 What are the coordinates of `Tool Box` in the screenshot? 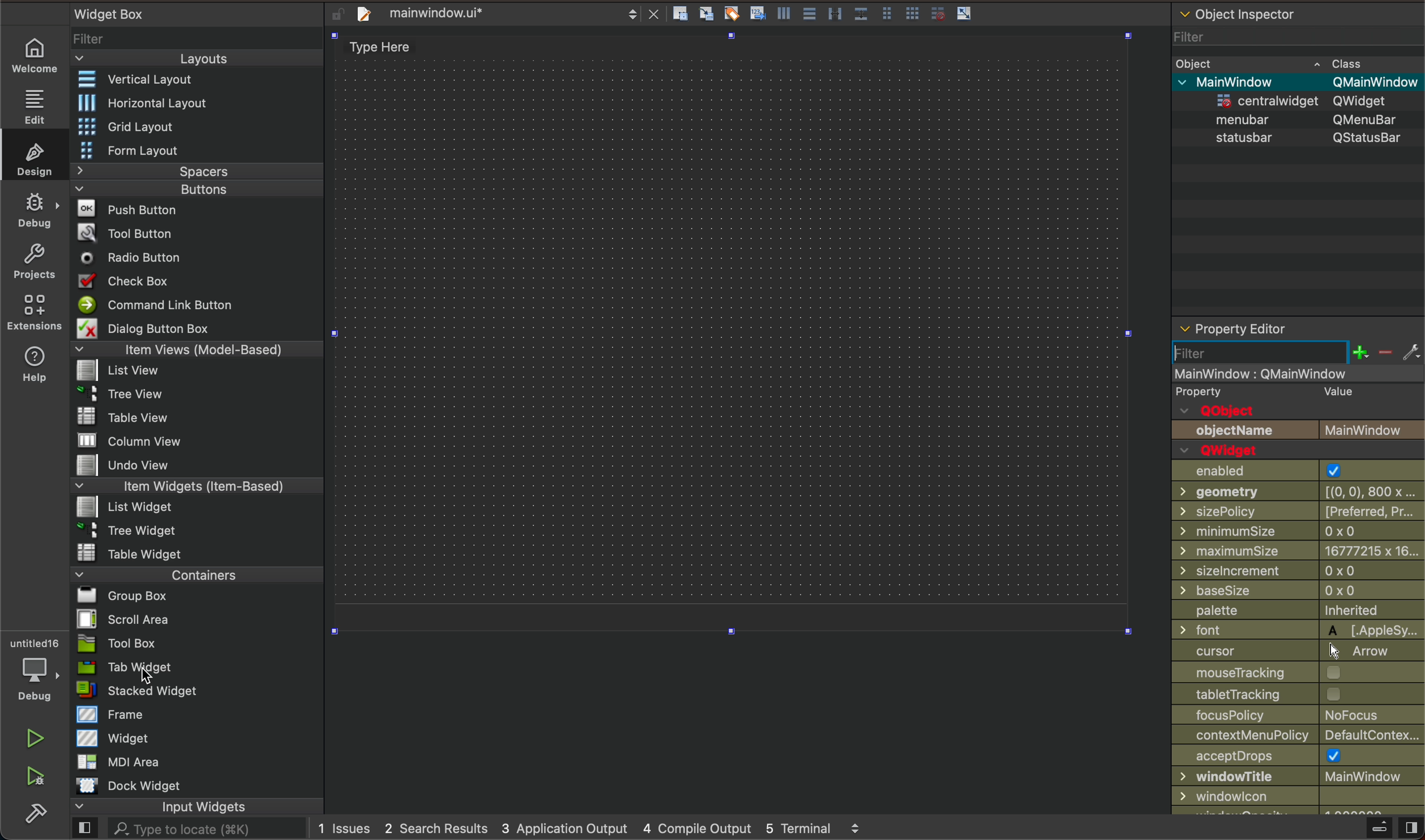 It's located at (134, 645).